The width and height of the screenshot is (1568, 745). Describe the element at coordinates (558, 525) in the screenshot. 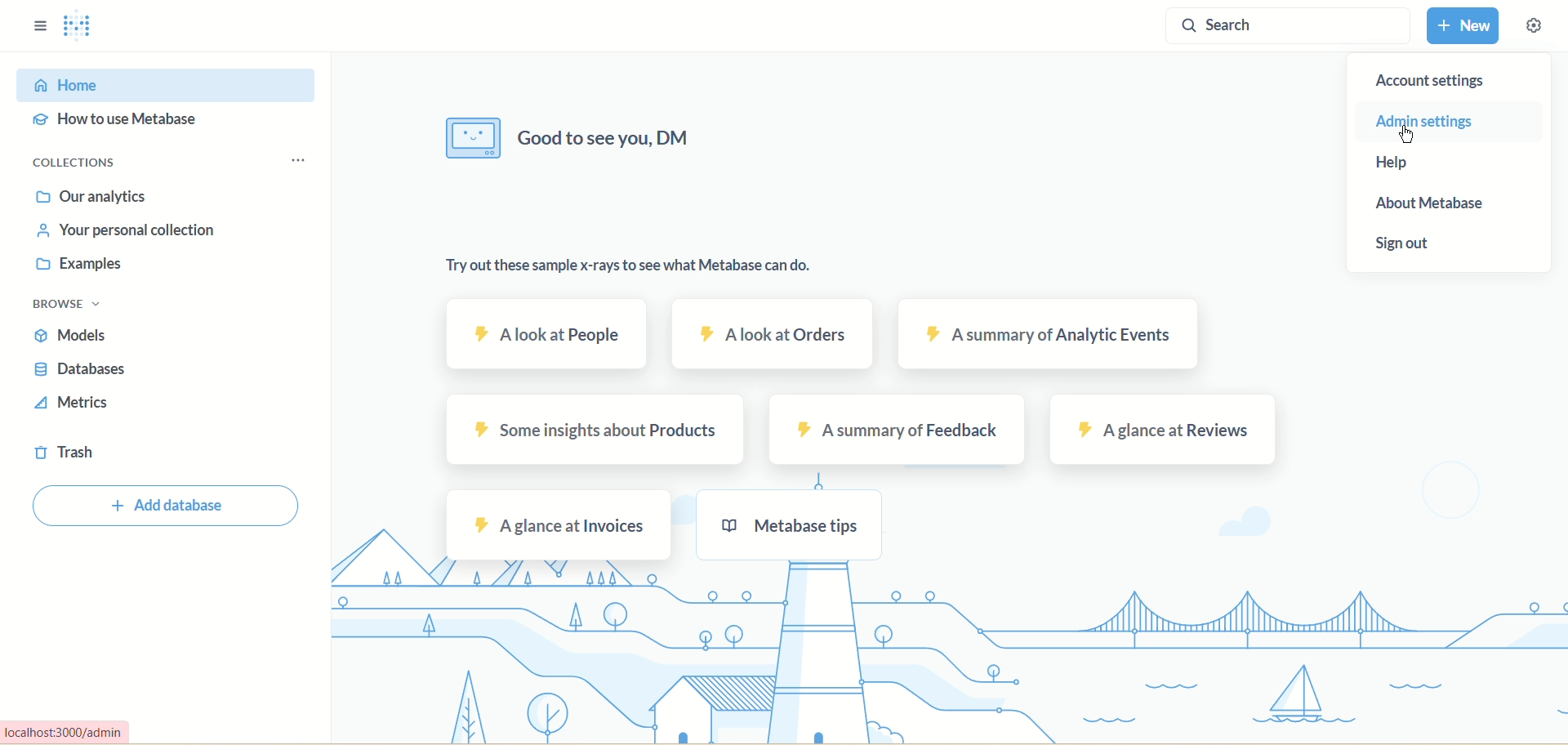

I see `a glance at invoices` at that location.